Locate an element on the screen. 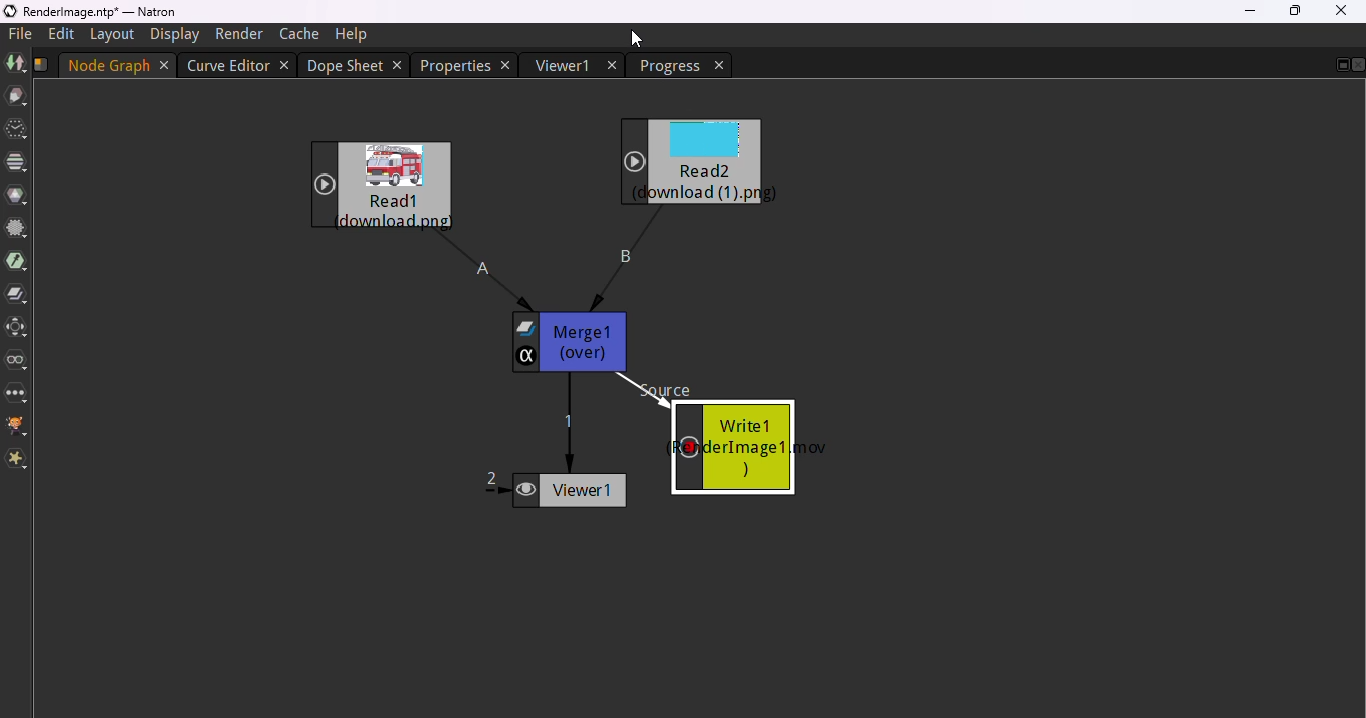 This screenshot has height=718, width=1366. help is located at coordinates (352, 35).